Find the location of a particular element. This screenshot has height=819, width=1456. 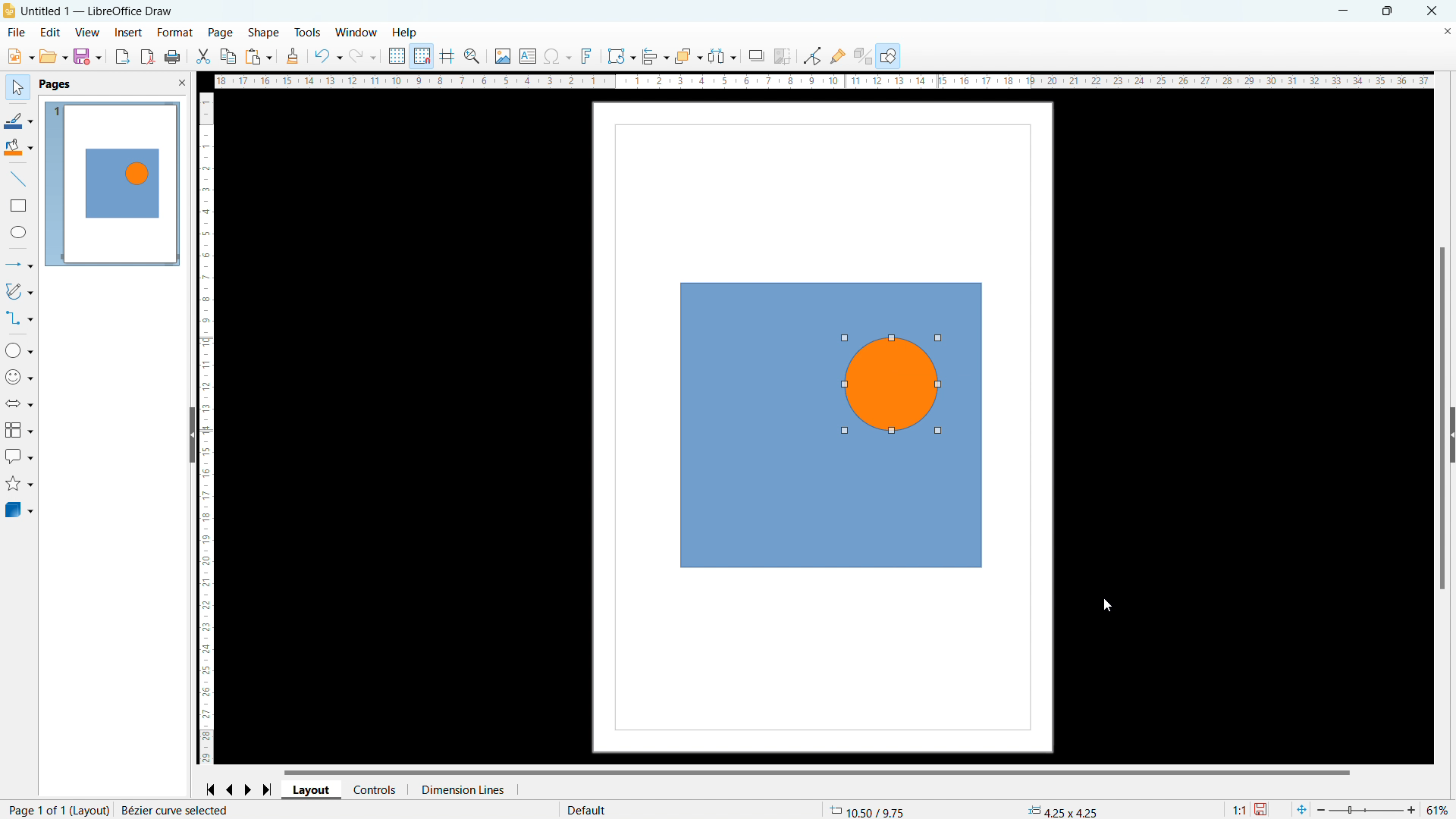

go to last page is located at coordinates (268, 789).